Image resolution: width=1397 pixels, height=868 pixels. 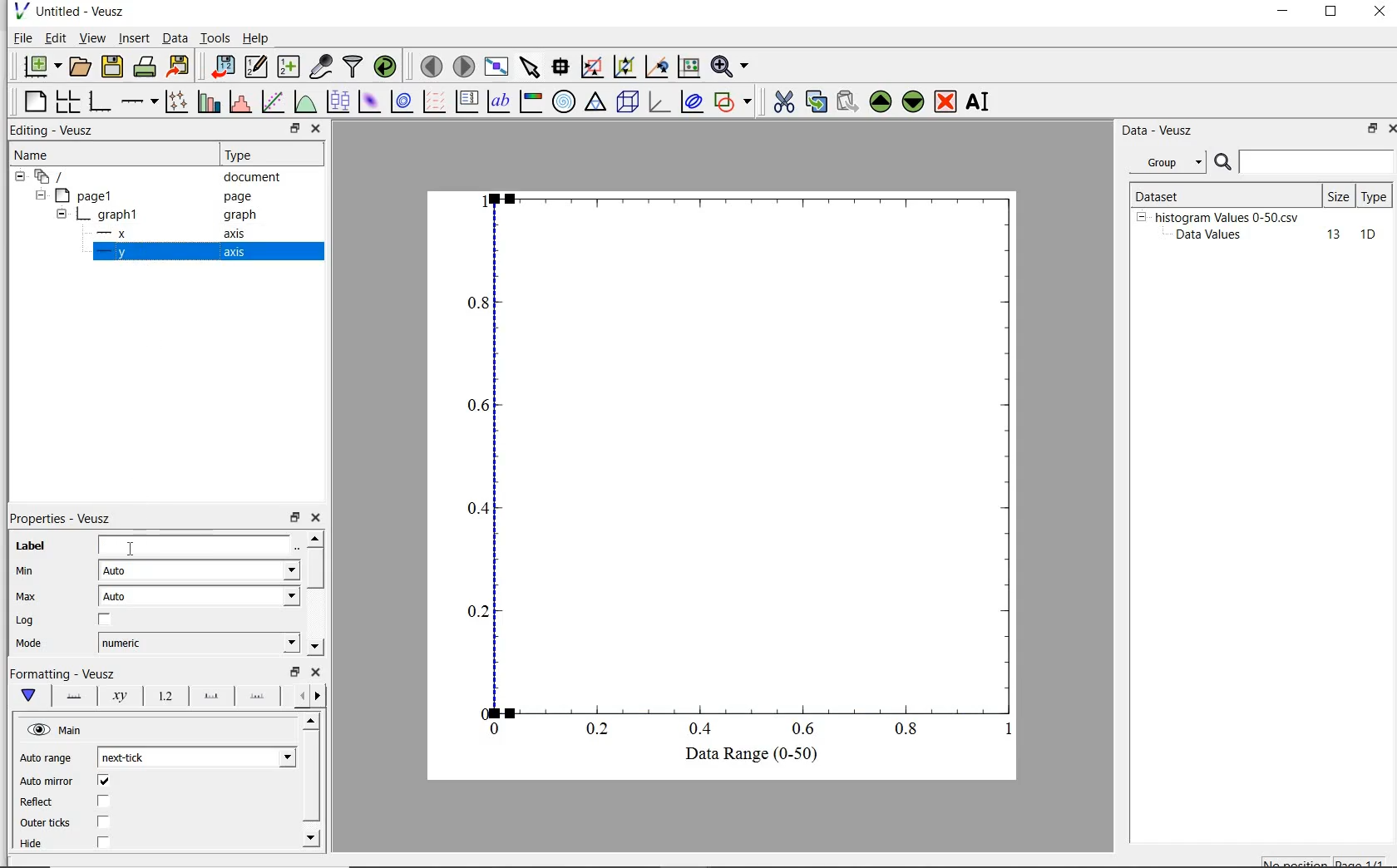 I want to click on click to recenter graph axes, so click(x=688, y=67).